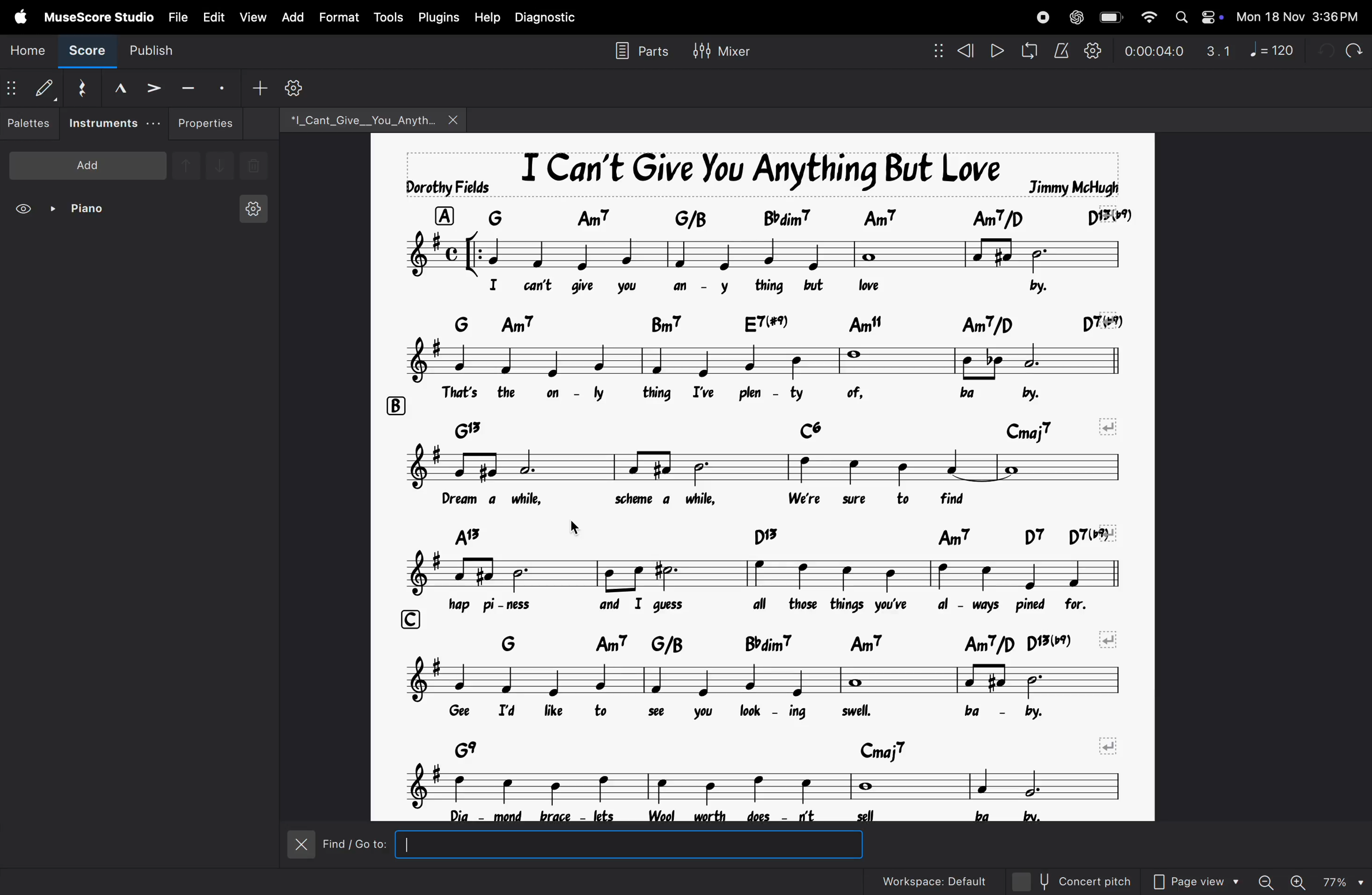 The width and height of the screenshot is (1372, 895). What do you see at coordinates (82, 52) in the screenshot?
I see `score` at bounding box center [82, 52].